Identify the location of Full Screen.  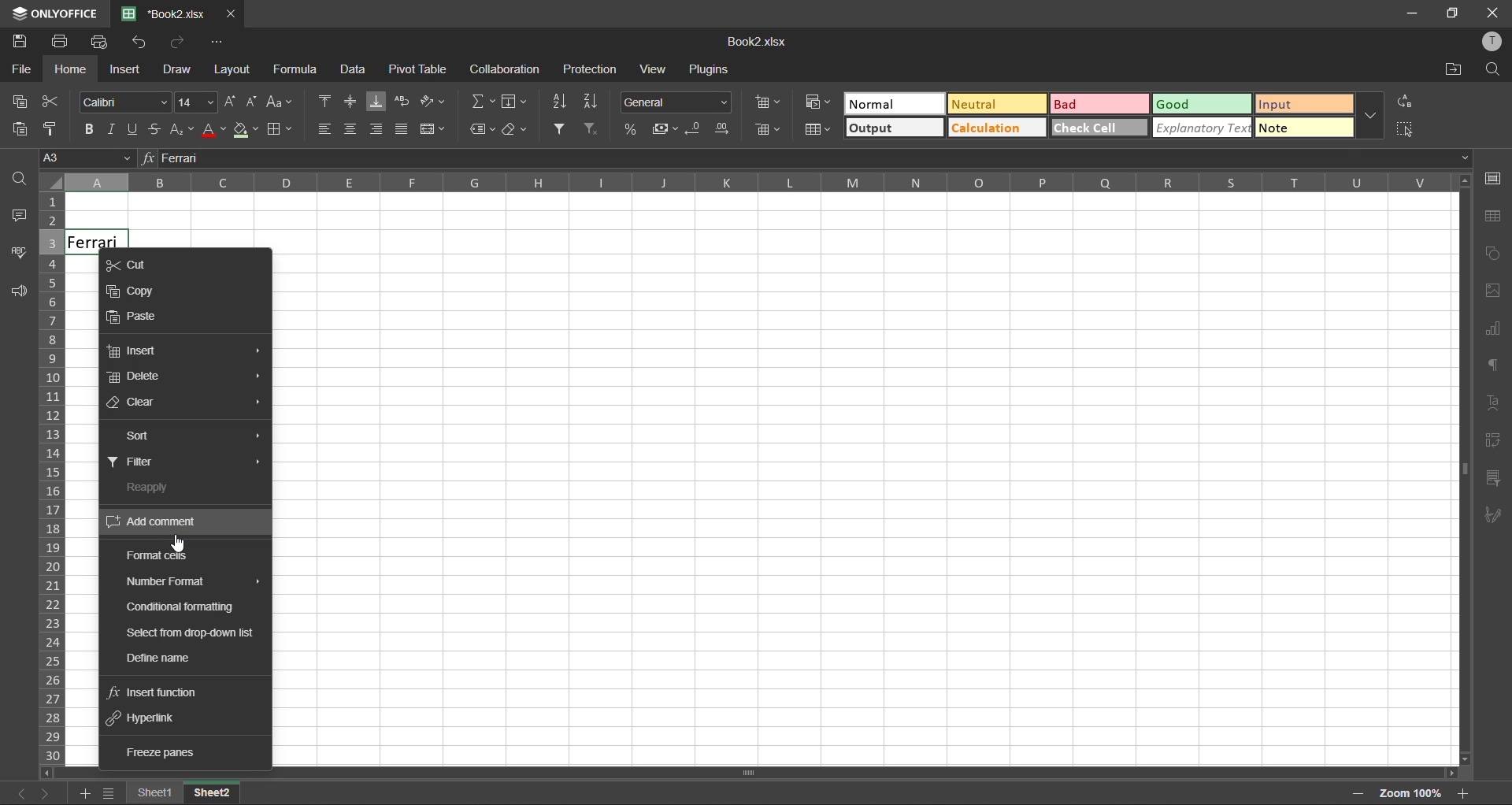
(1454, 14).